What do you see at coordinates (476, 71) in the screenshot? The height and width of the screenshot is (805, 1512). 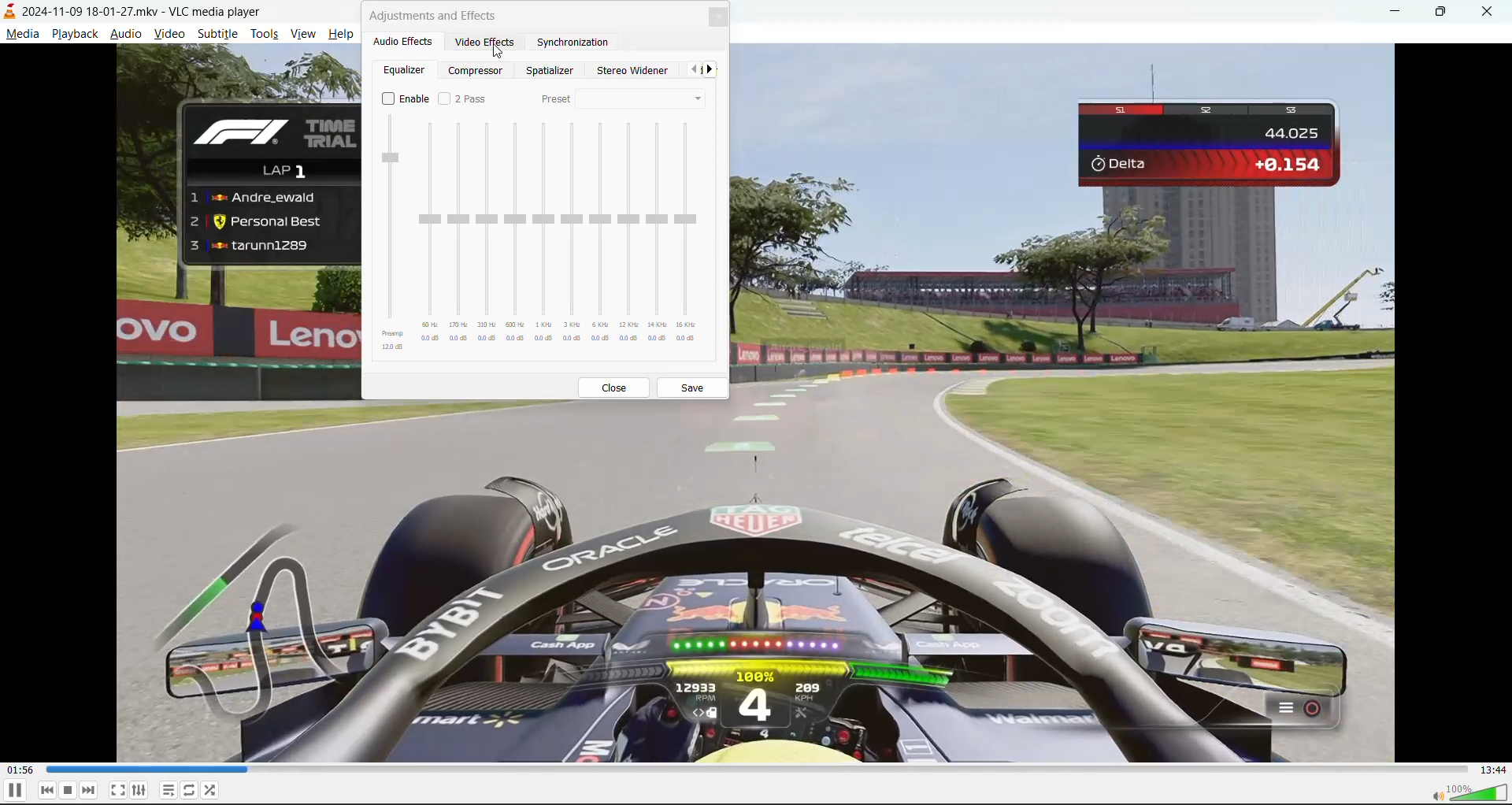 I see `compressor` at bounding box center [476, 71].